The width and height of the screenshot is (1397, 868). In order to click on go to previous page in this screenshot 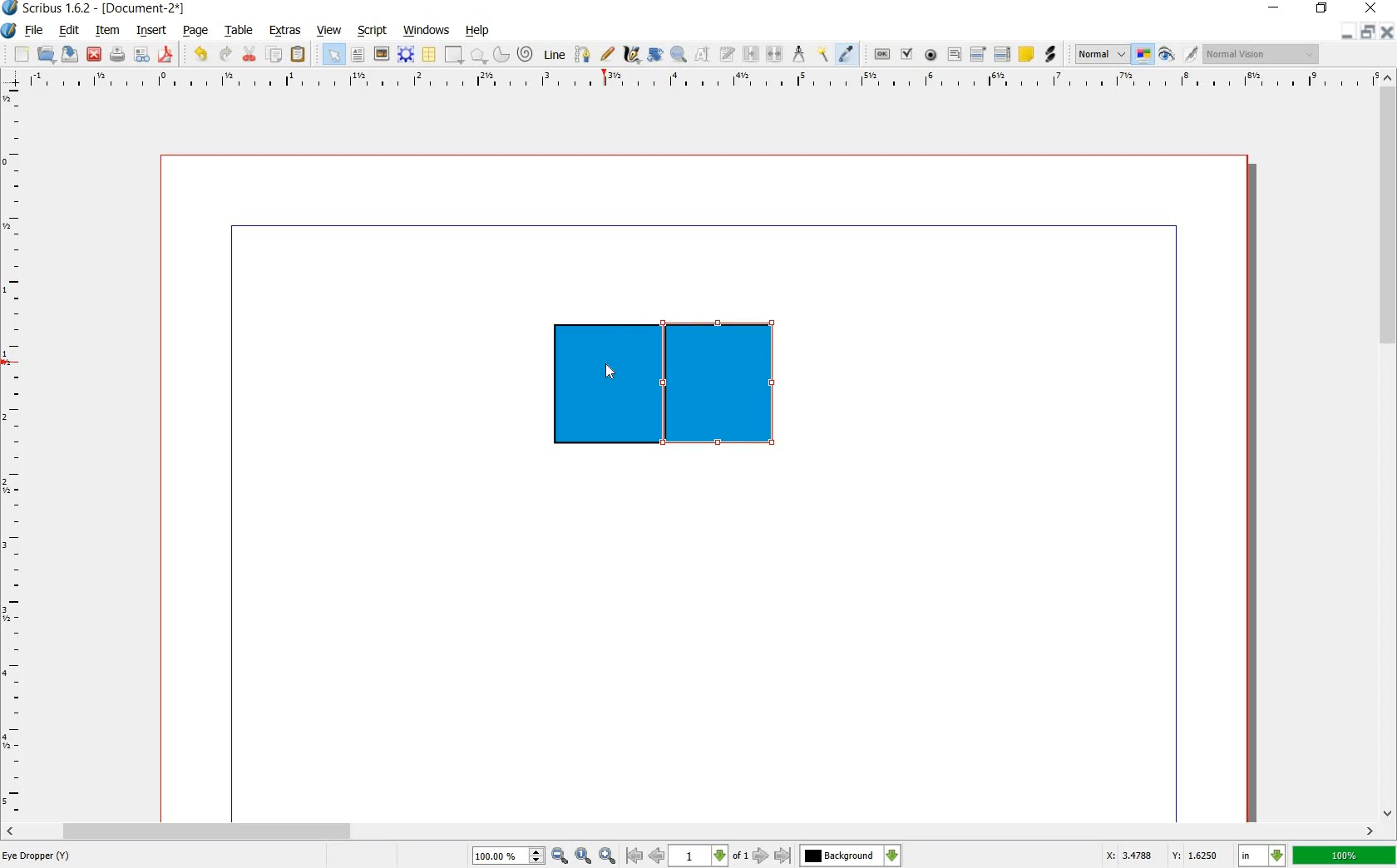, I will do `click(658, 856)`.